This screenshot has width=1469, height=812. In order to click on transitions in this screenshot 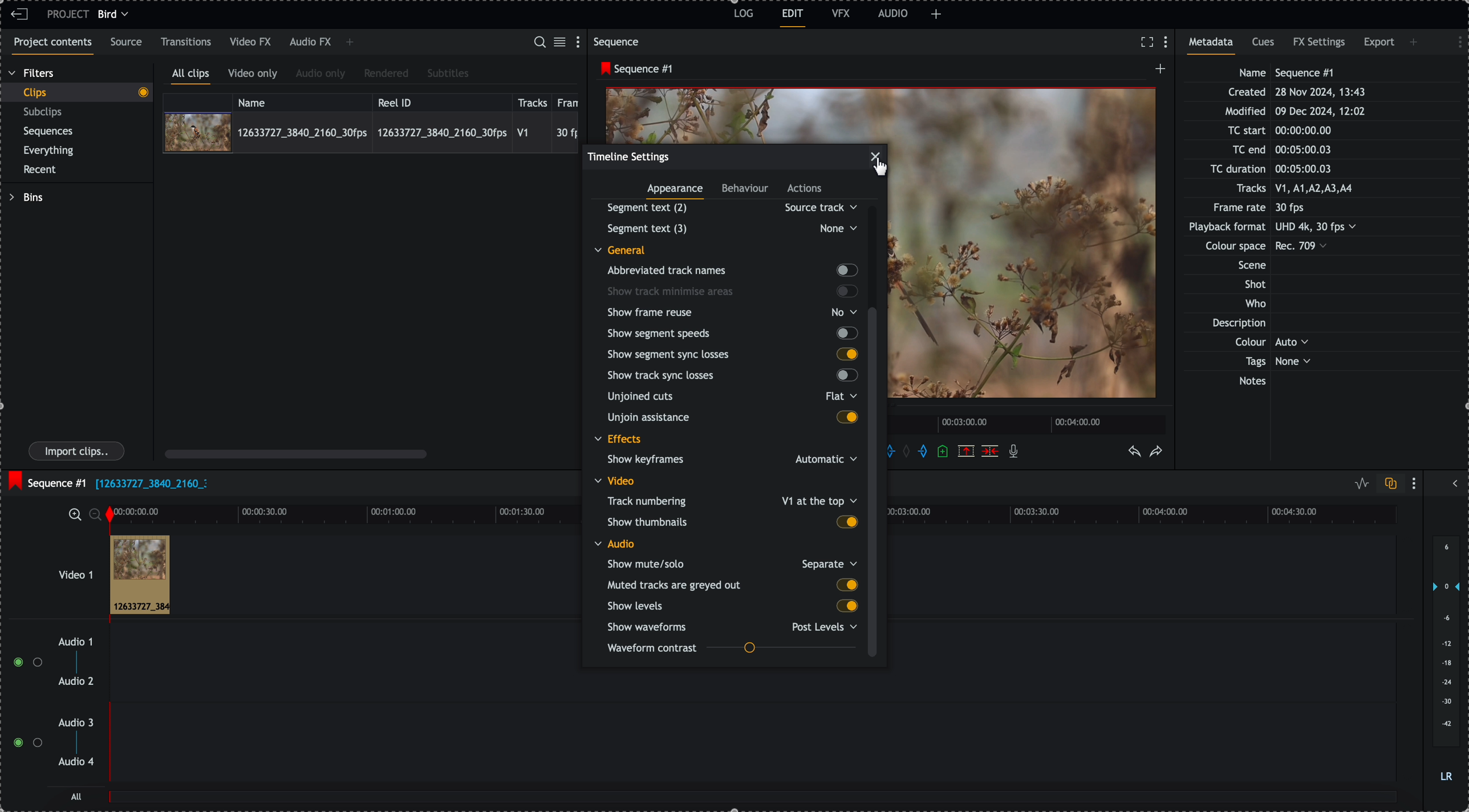, I will do `click(186, 42)`.